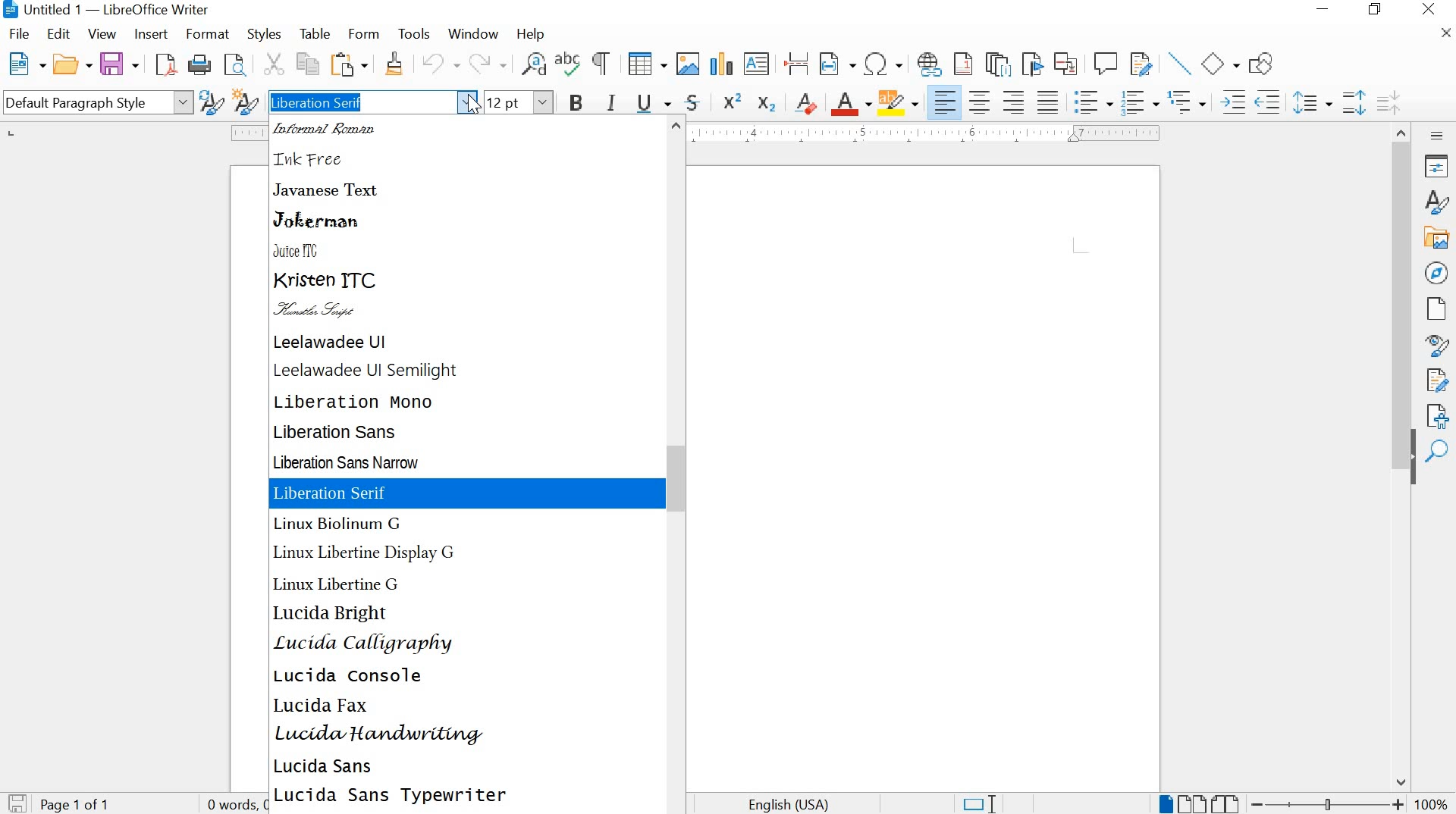 The width and height of the screenshot is (1456, 814). What do you see at coordinates (309, 64) in the screenshot?
I see `COPY` at bounding box center [309, 64].